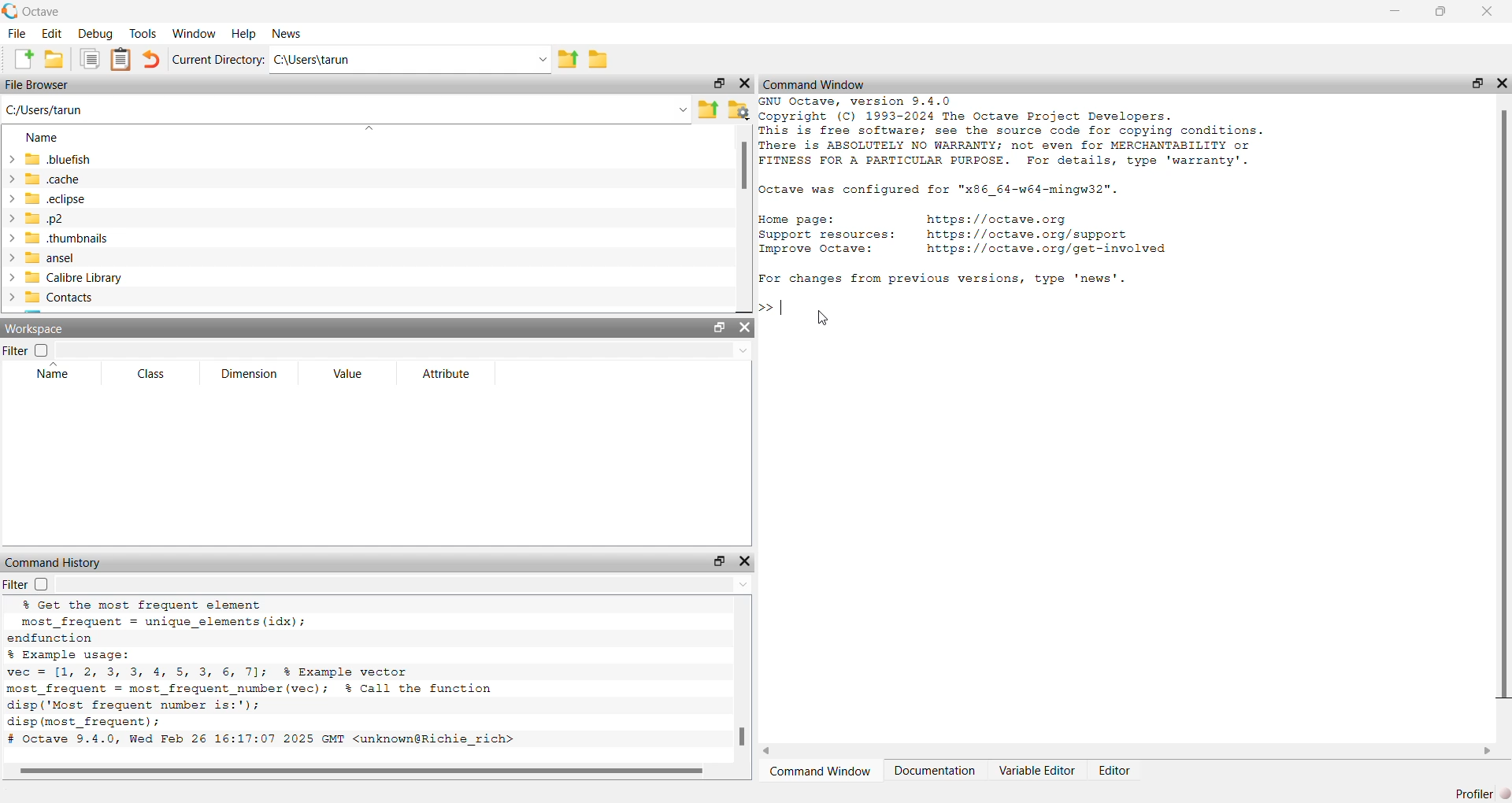 Image resolution: width=1512 pixels, height=803 pixels. What do you see at coordinates (35, 328) in the screenshot?
I see `Workspace` at bounding box center [35, 328].